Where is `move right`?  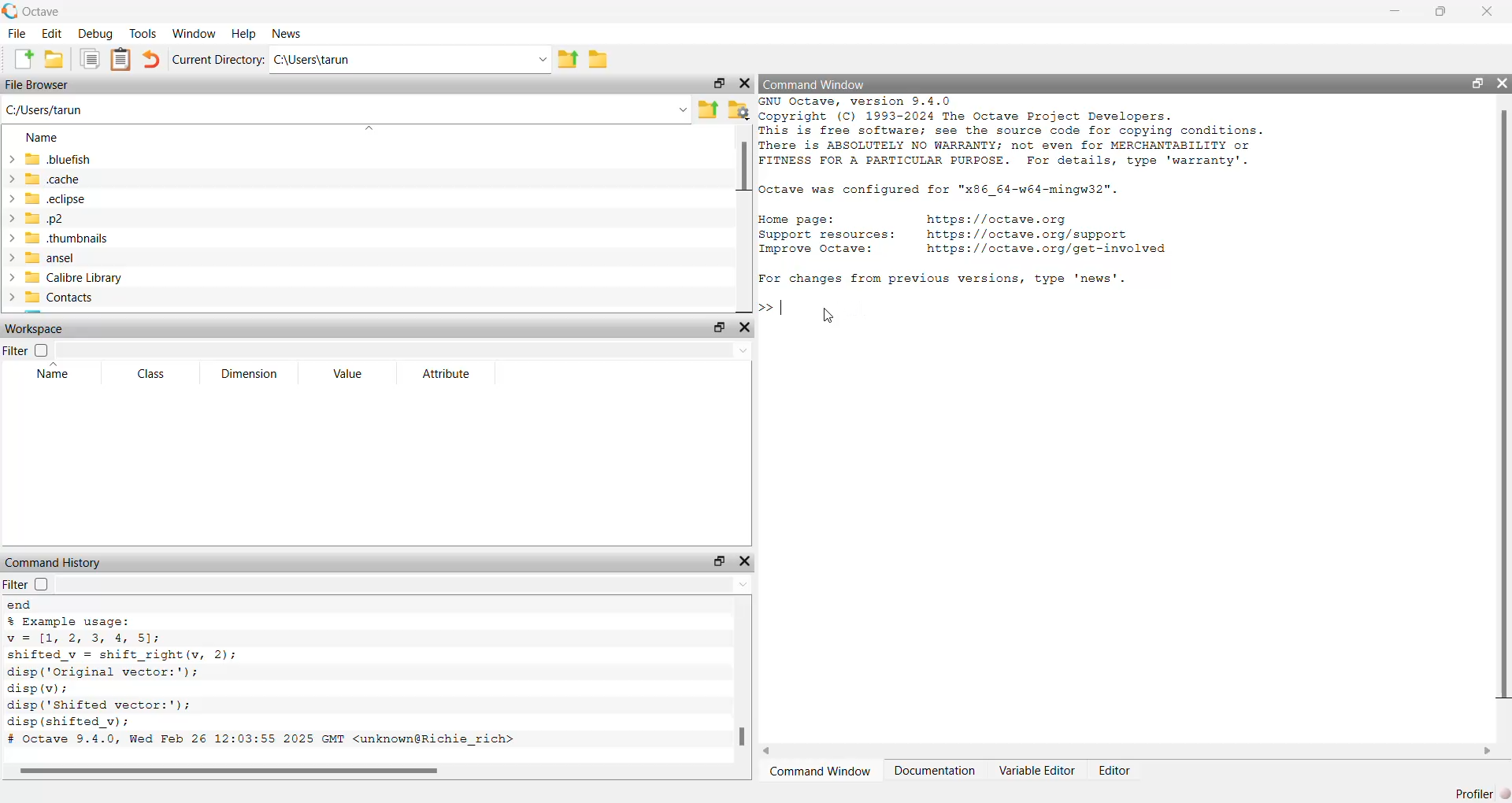 move right is located at coordinates (1486, 751).